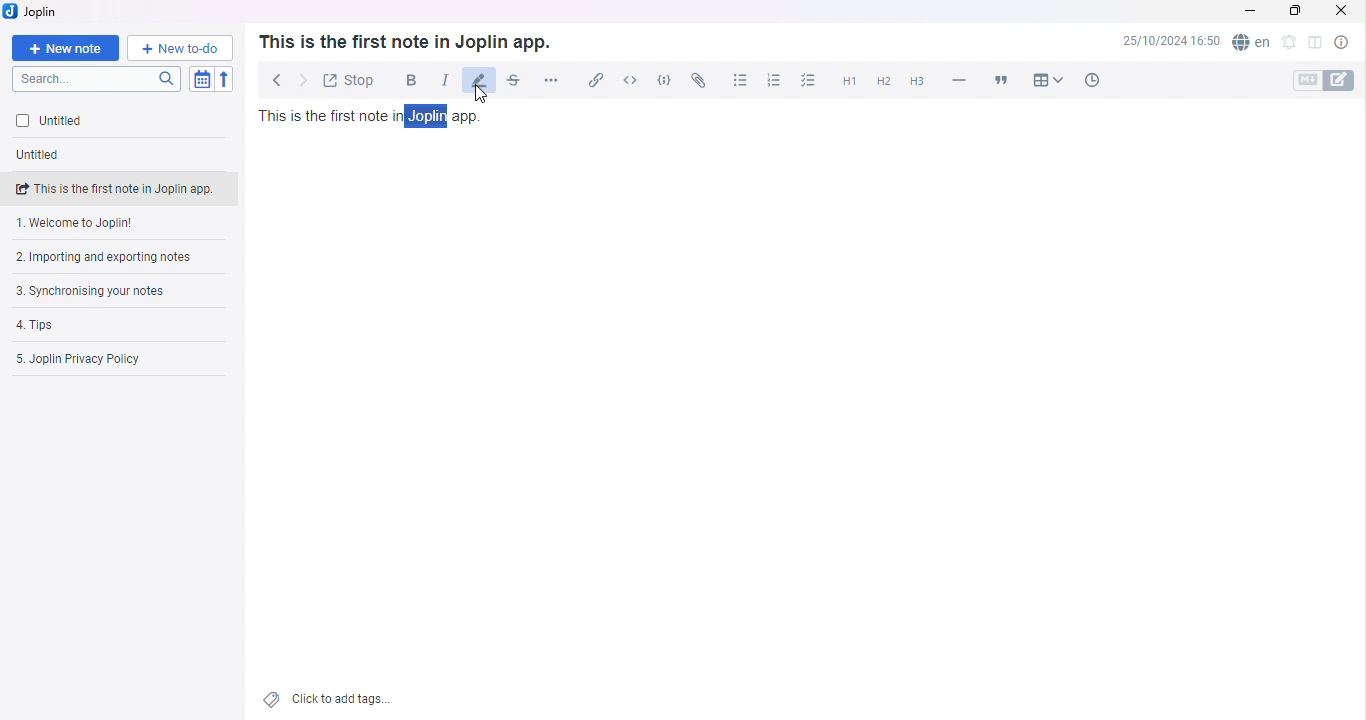 This screenshot has width=1366, height=720. What do you see at coordinates (204, 79) in the screenshot?
I see `Toggle sort order field` at bounding box center [204, 79].